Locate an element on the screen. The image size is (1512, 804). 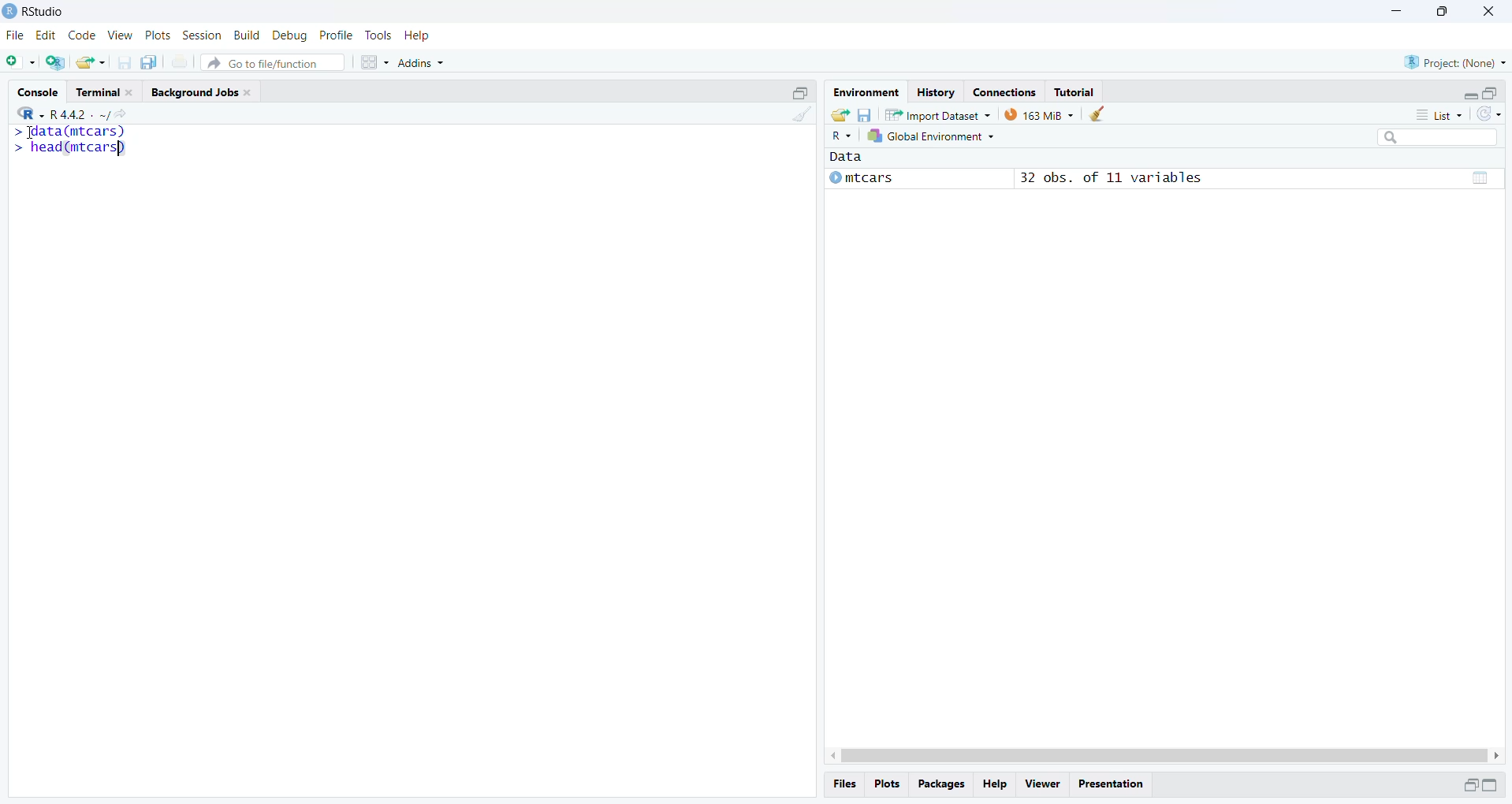
grid view is located at coordinates (1480, 178).